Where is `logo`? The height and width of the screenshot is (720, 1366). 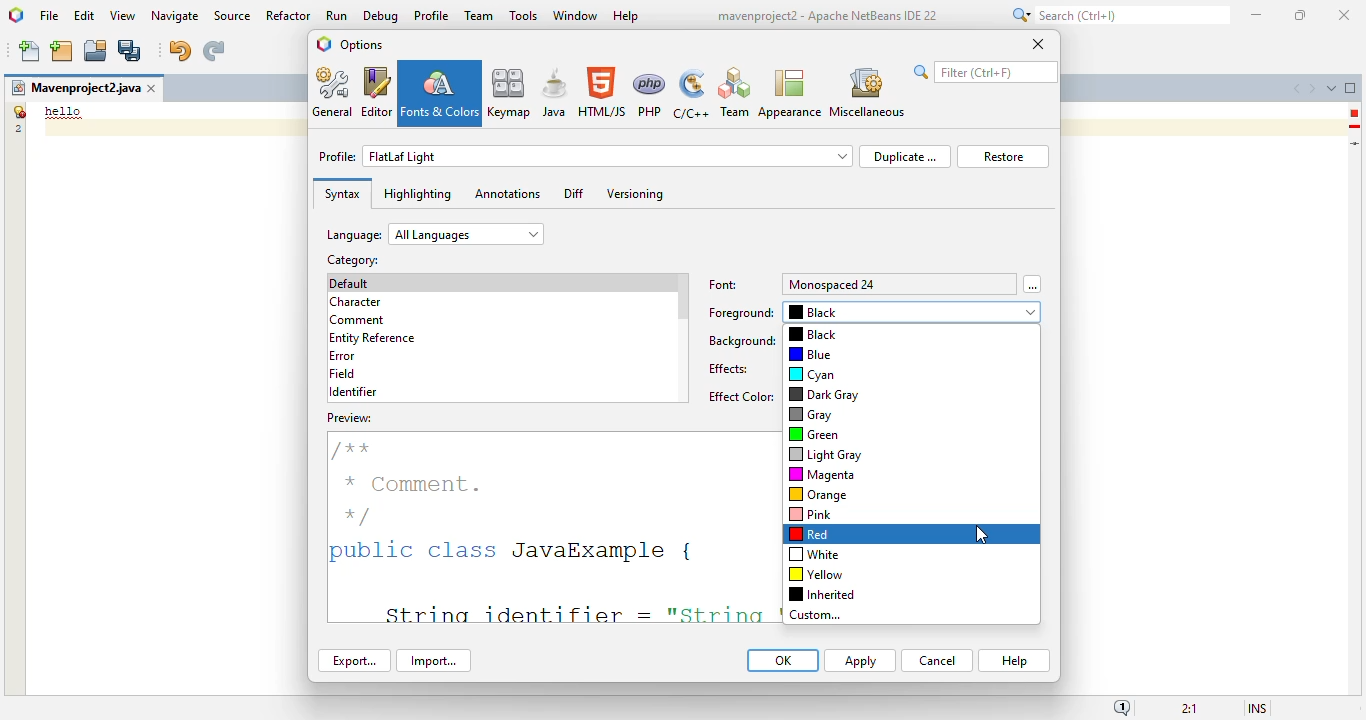 logo is located at coordinates (324, 44).